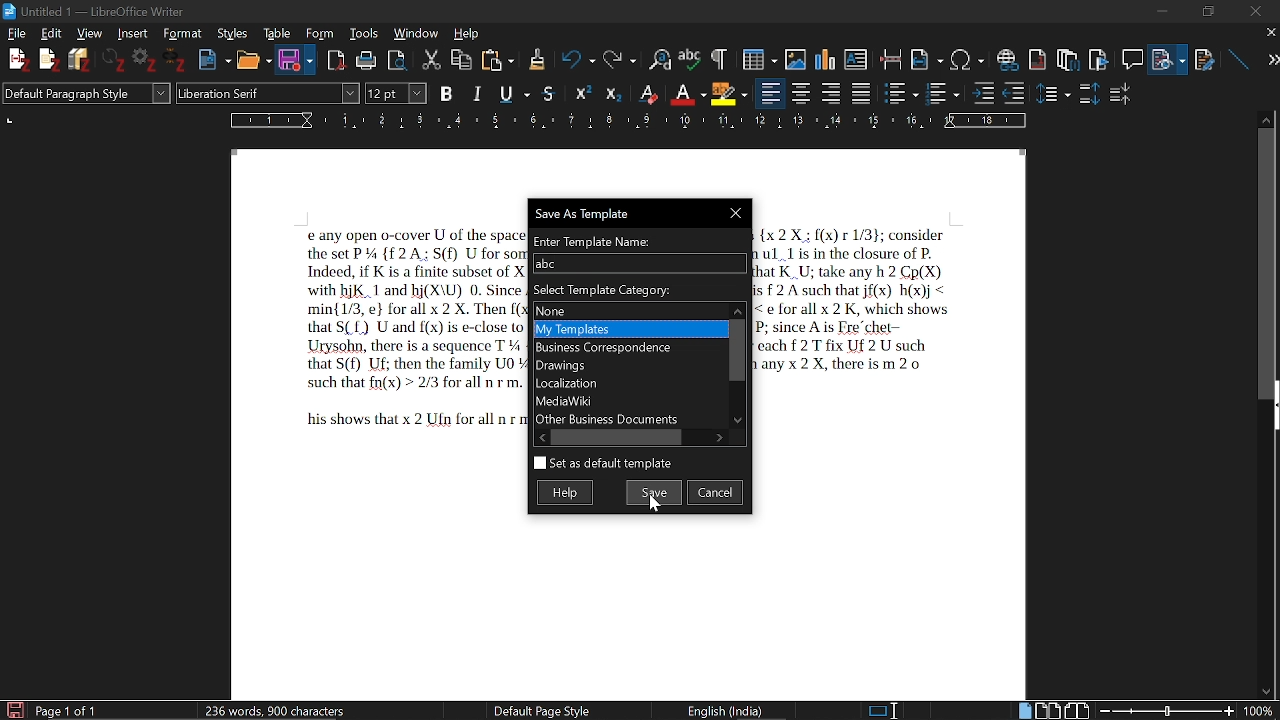  I want to click on Settings, so click(147, 62).